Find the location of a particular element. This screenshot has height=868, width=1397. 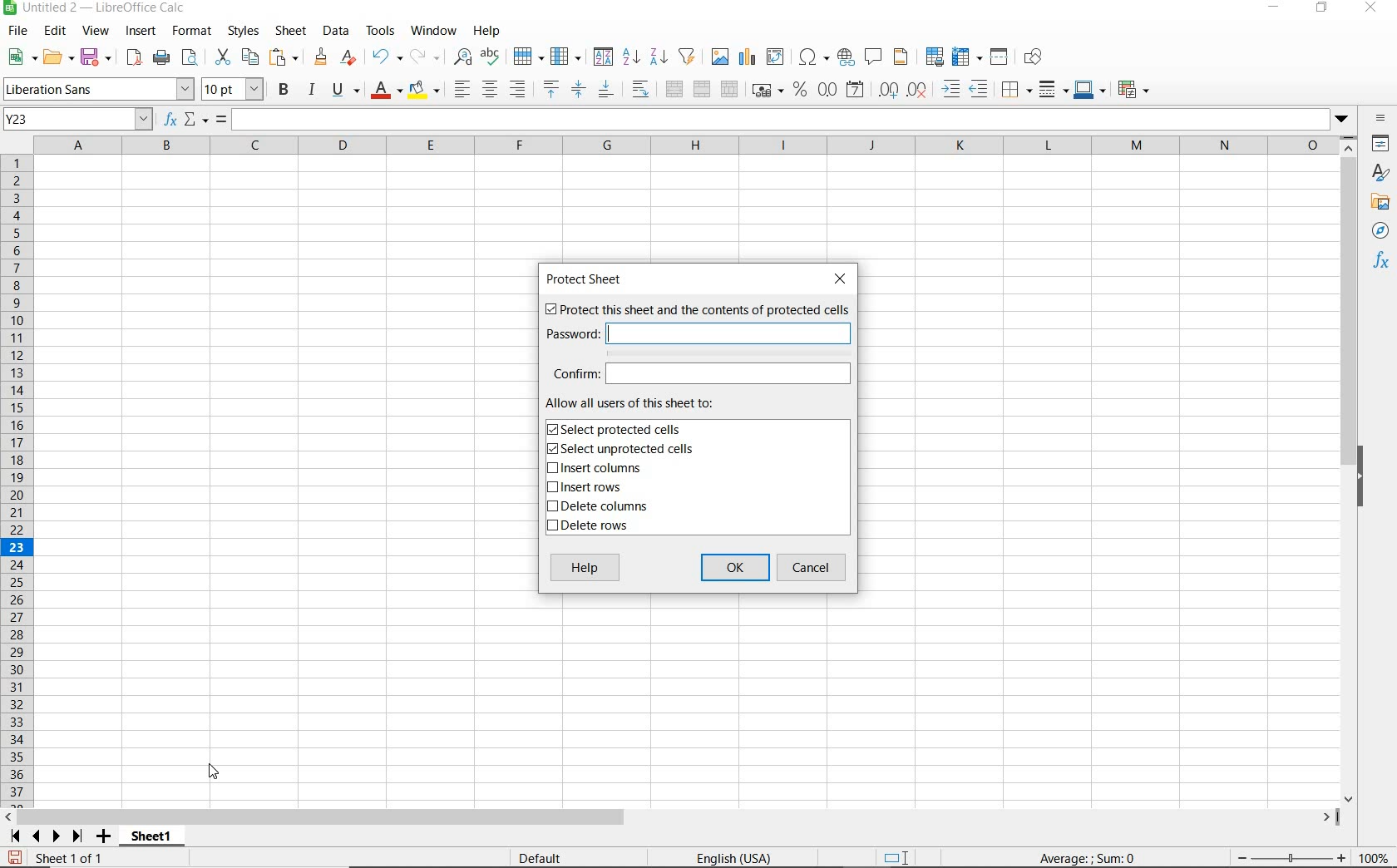

SORT DESCENDING is located at coordinates (658, 57).